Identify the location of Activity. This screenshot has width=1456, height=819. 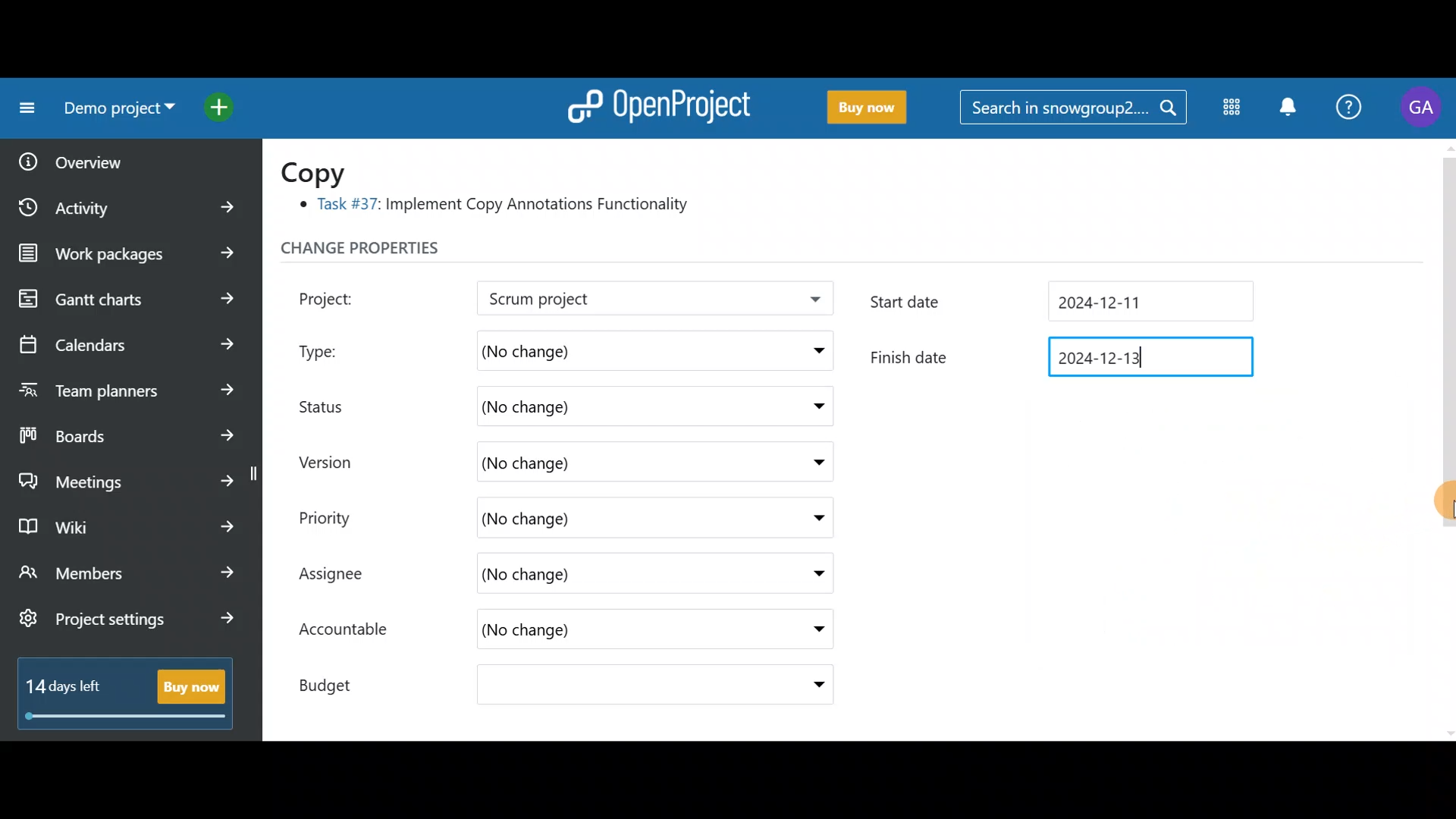
(131, 202).